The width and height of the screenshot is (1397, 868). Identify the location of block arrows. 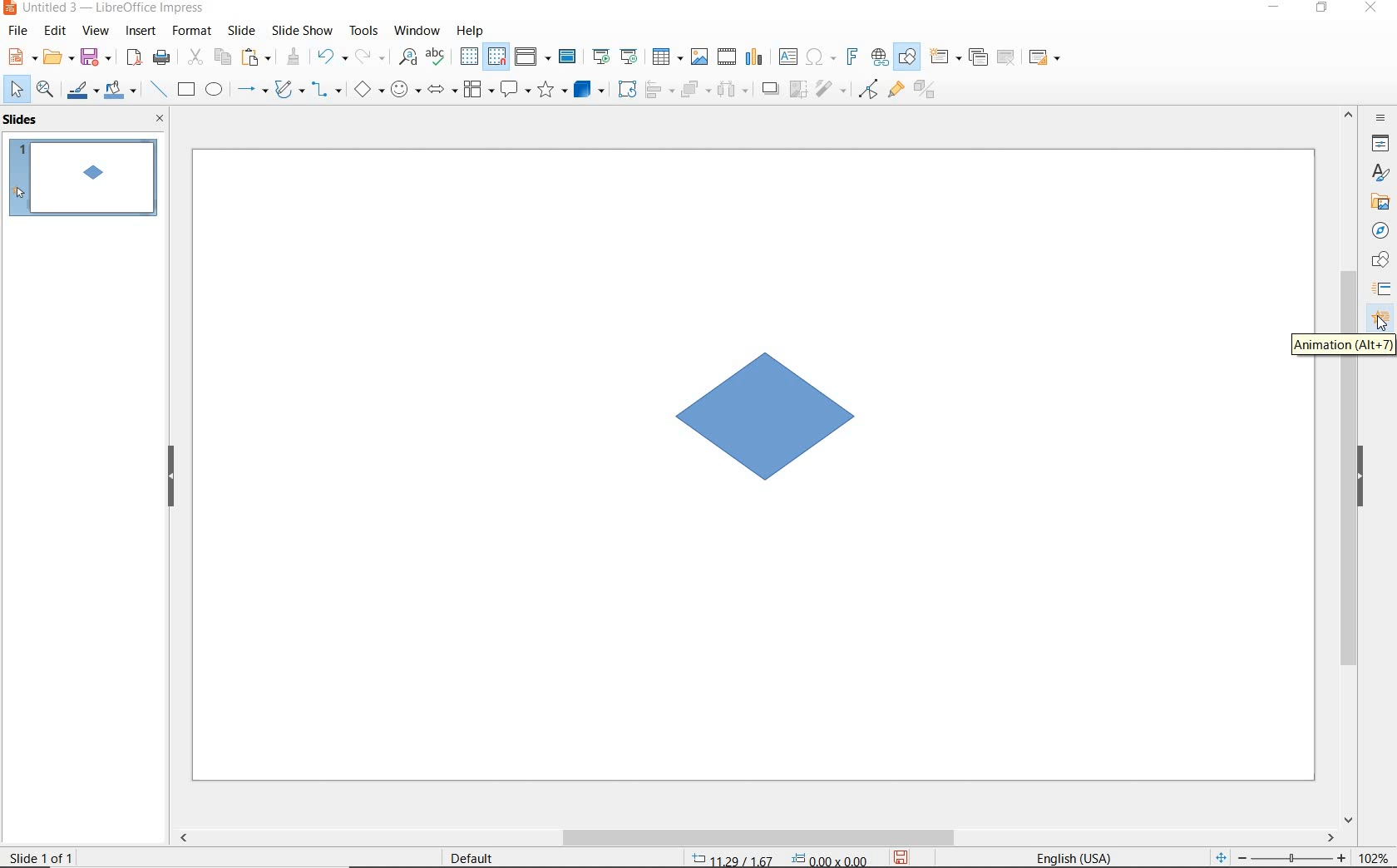
(443, 91).